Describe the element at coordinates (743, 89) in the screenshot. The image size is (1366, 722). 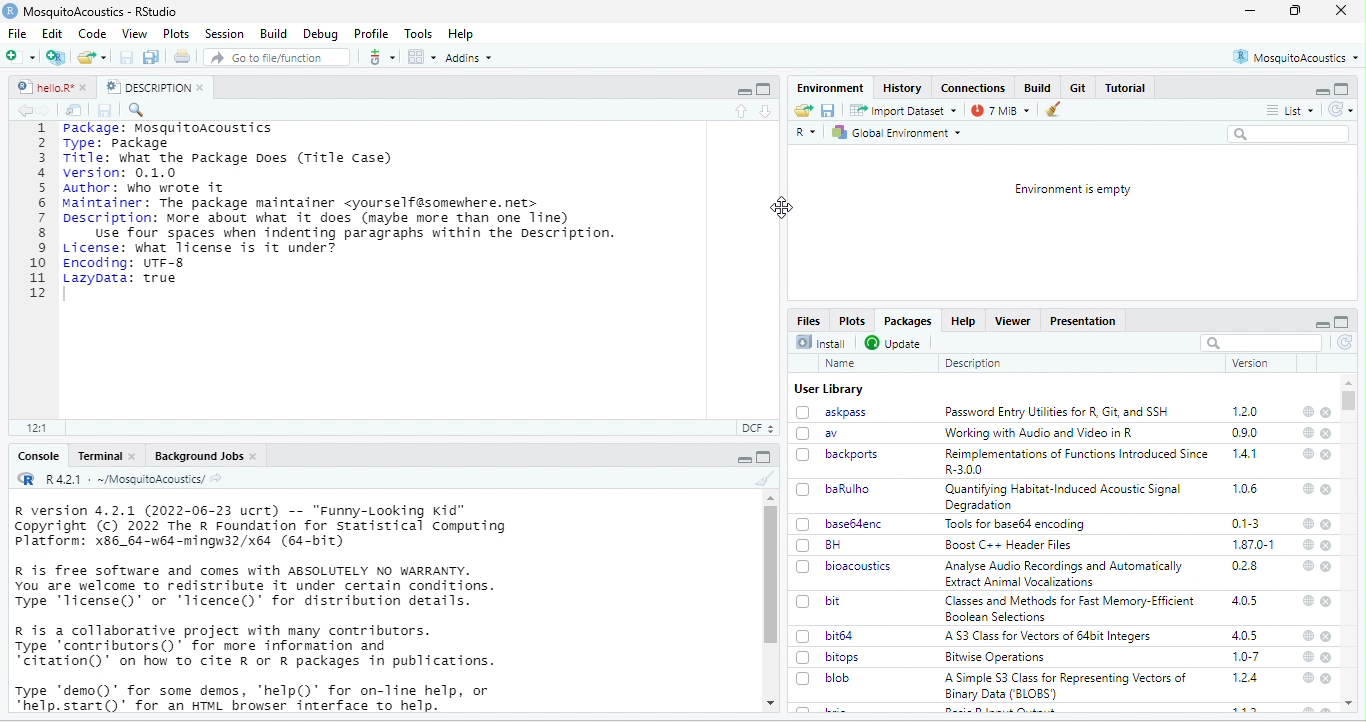
I see `maximize` at that location.